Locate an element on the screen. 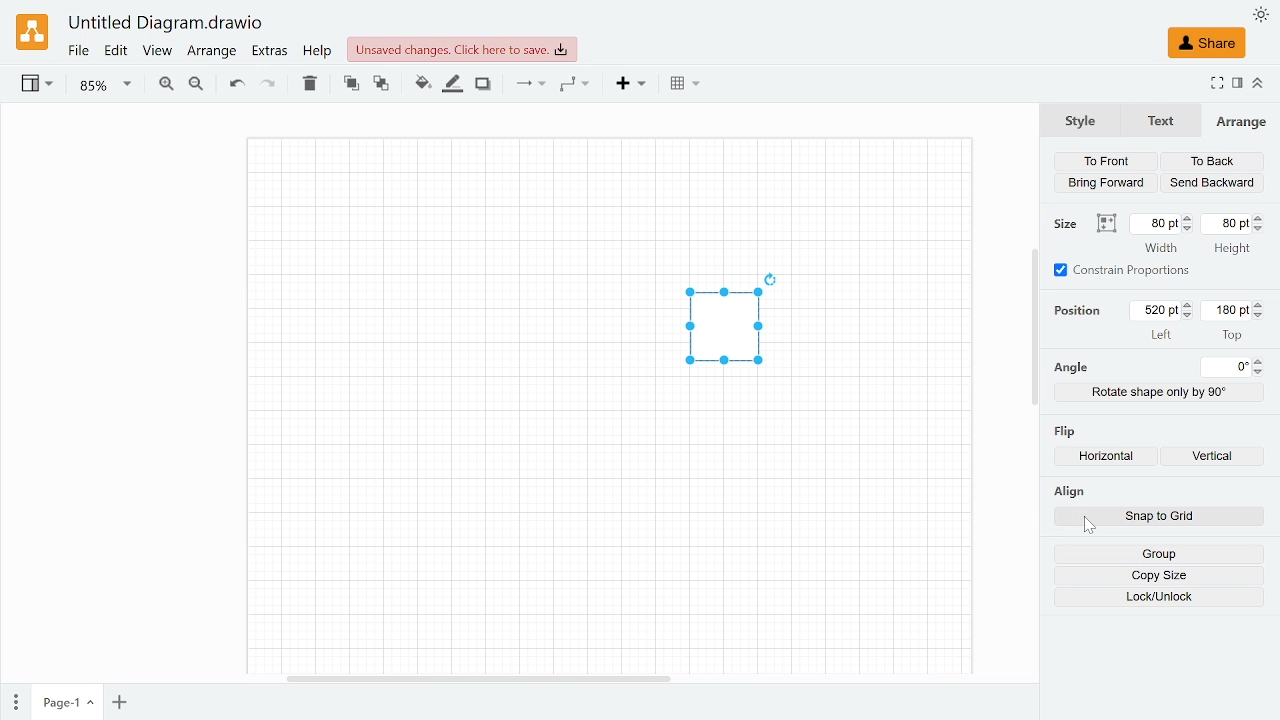 The image size is (1280, 720). Current height is located at coordinates (1228, 223).